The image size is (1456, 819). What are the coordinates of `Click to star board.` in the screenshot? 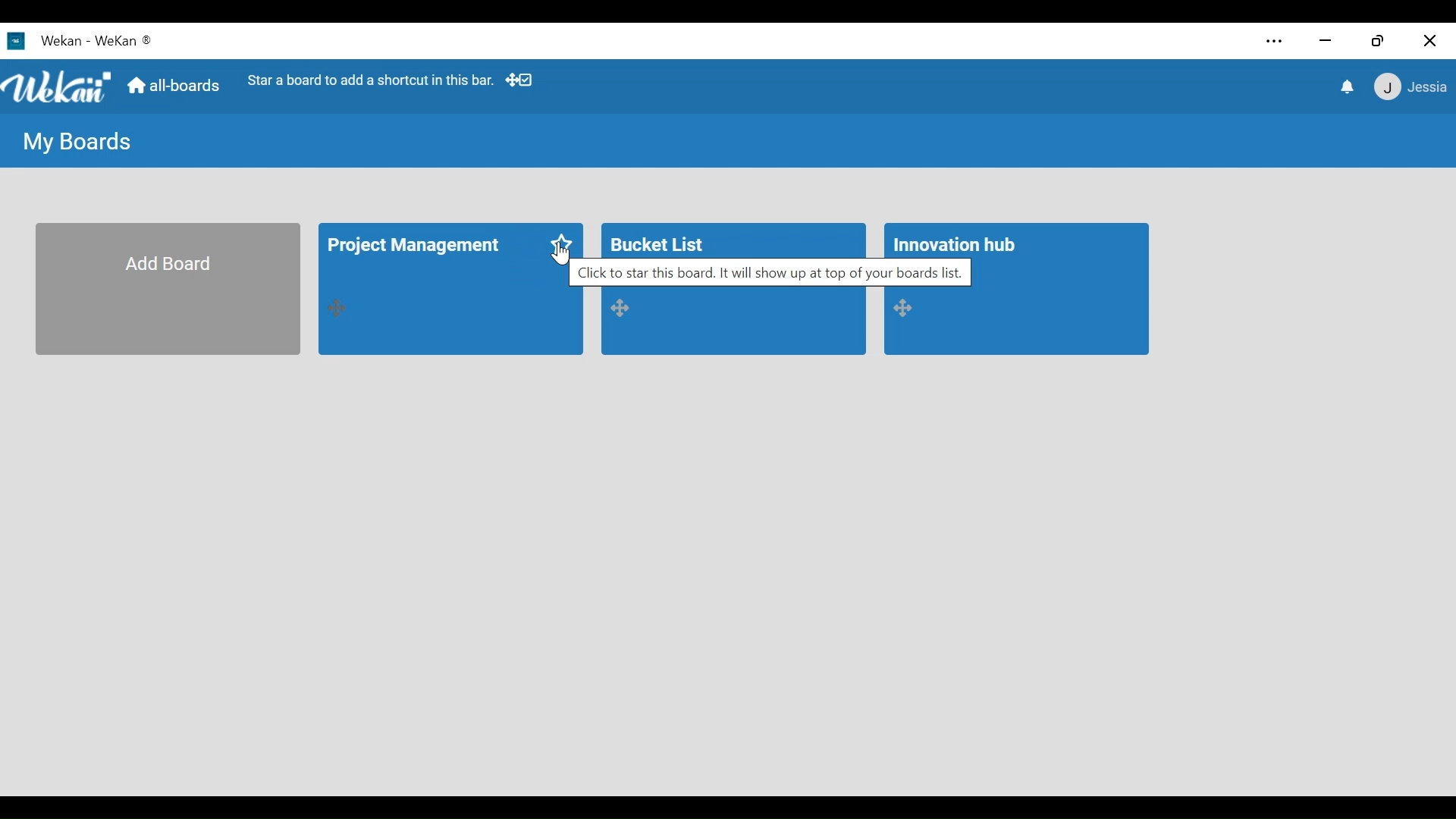 It's located at (770, 275).